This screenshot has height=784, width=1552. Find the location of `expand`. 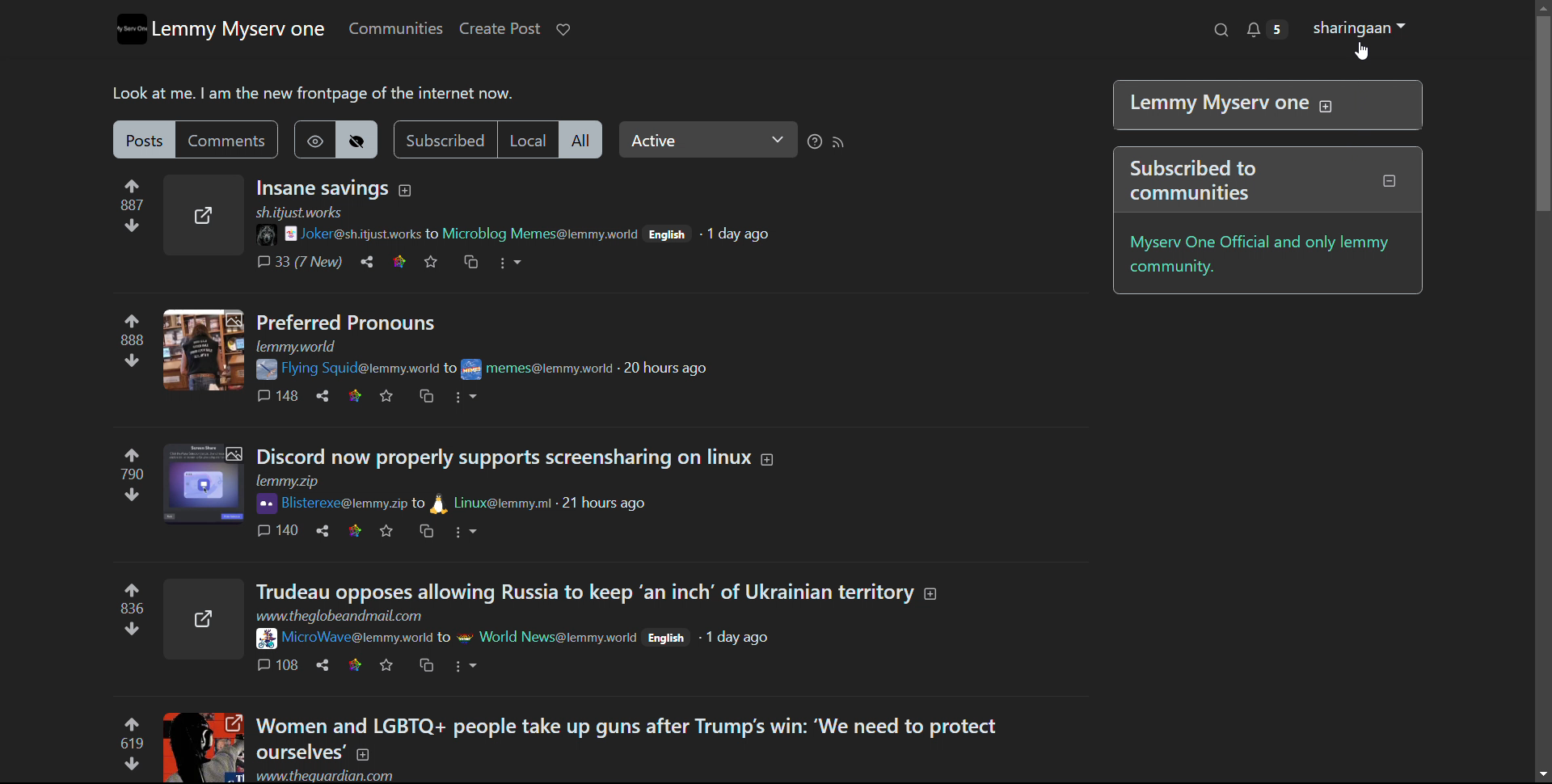

expand is located at coordinates (930, 594).